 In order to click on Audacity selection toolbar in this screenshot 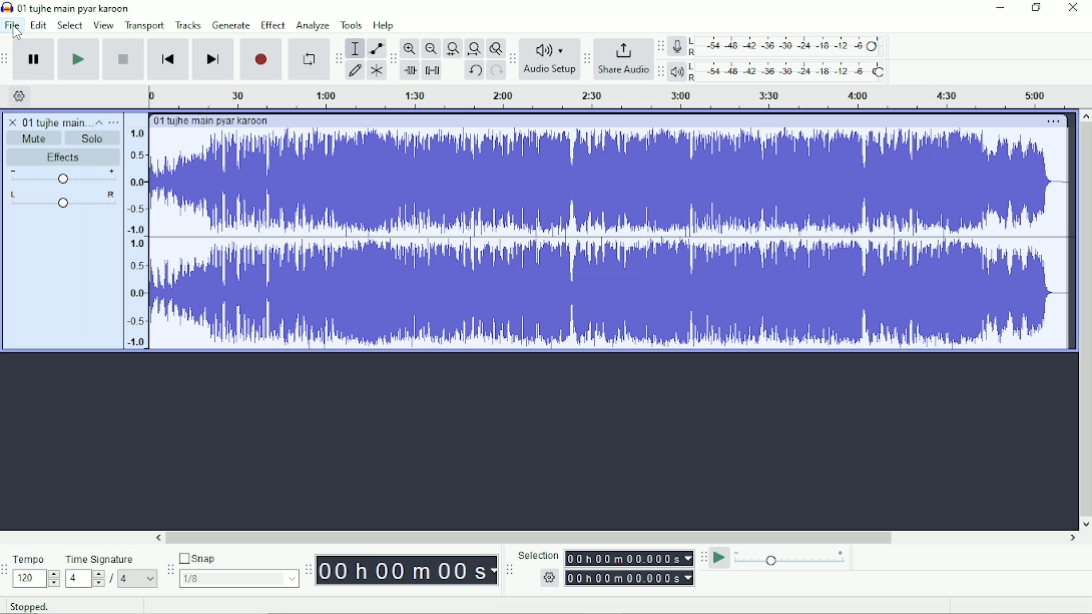, I will do `click(510, 571)`.